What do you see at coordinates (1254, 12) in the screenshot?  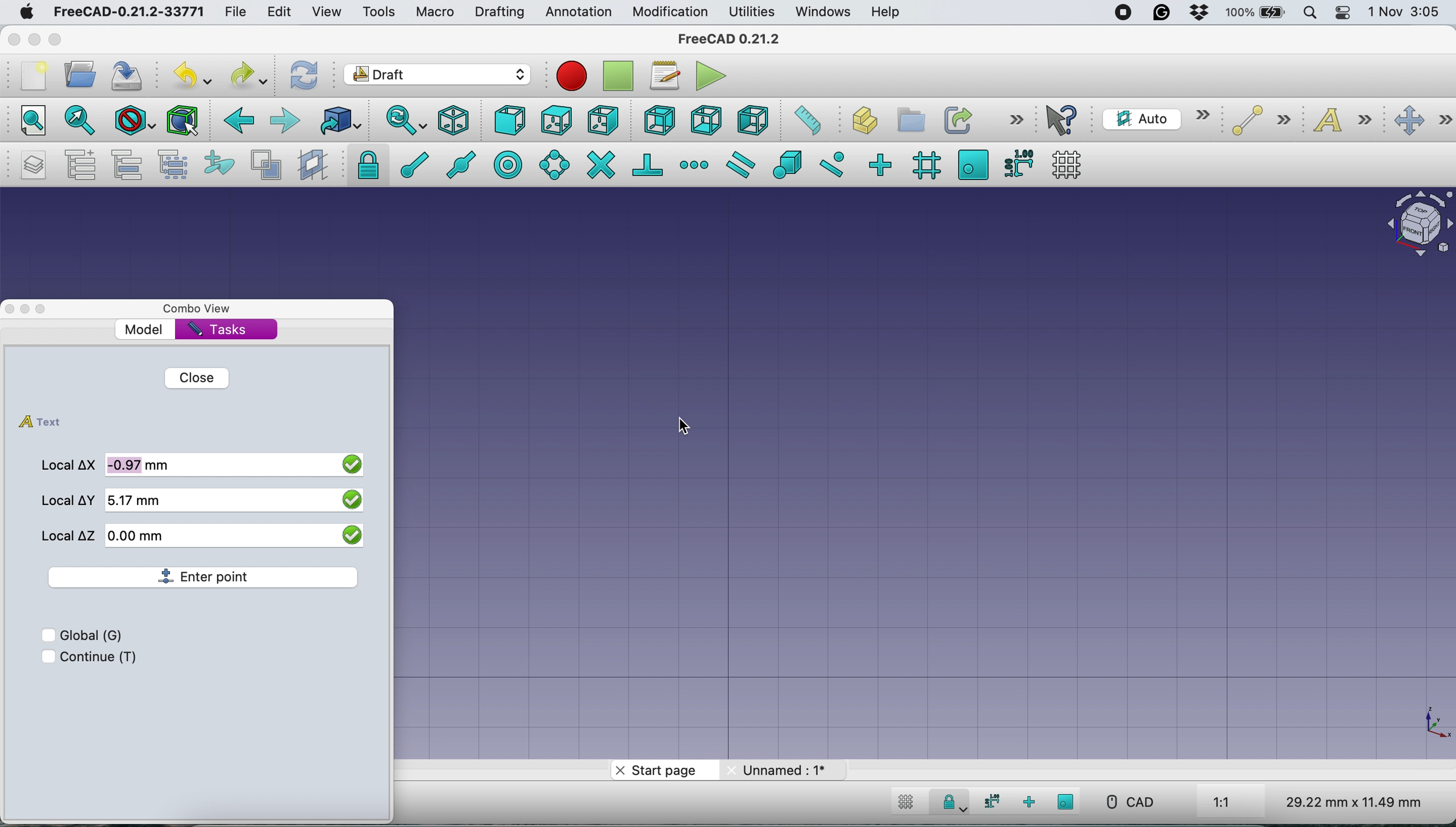 I see `battery` at bounding box center [1254, 12].